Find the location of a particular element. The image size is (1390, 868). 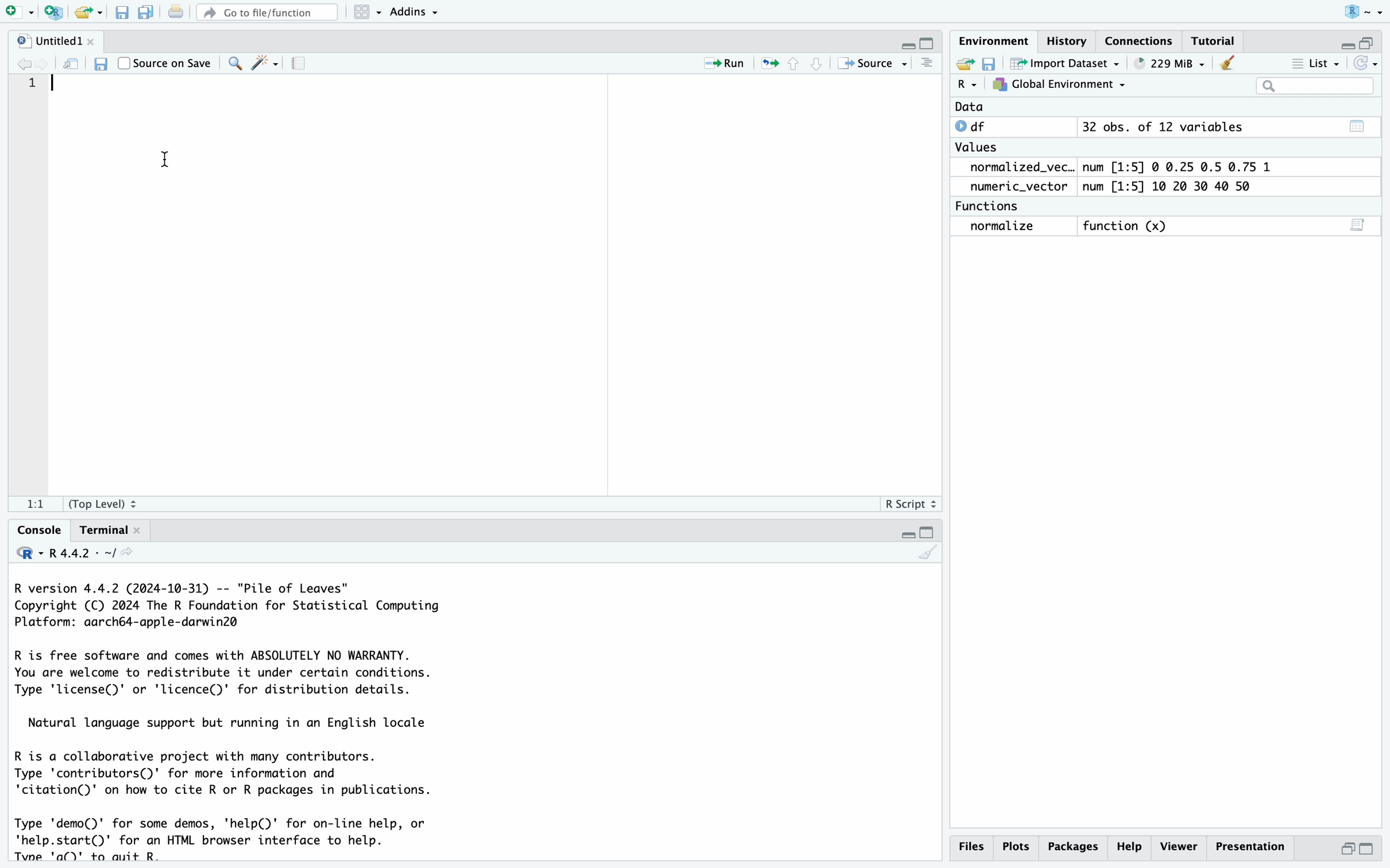

Untitled1 is located at coordinates (49, 42).